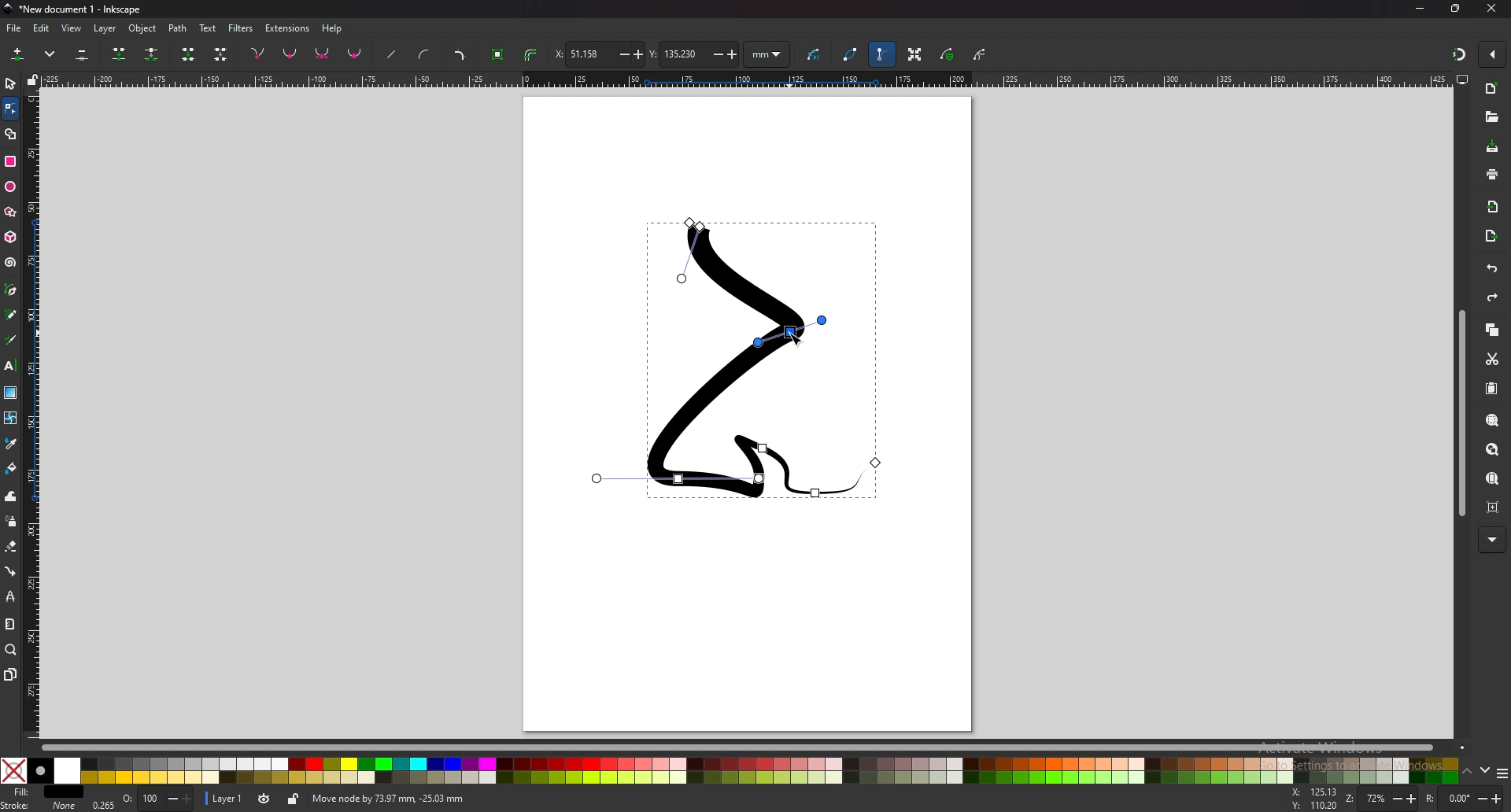  What do you see at coordinates (460, 56) in the screenshot?
I see `add corners lpe` at bounding box center [460, 56].